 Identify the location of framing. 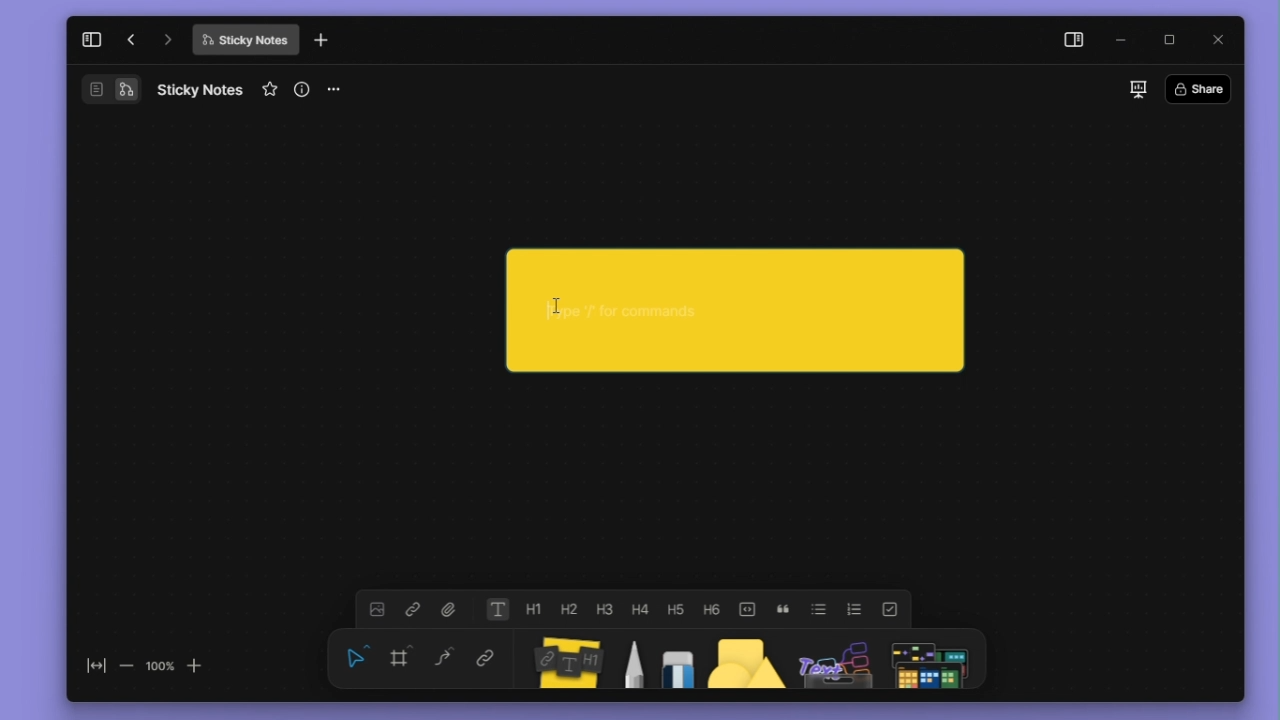
(401, 659).